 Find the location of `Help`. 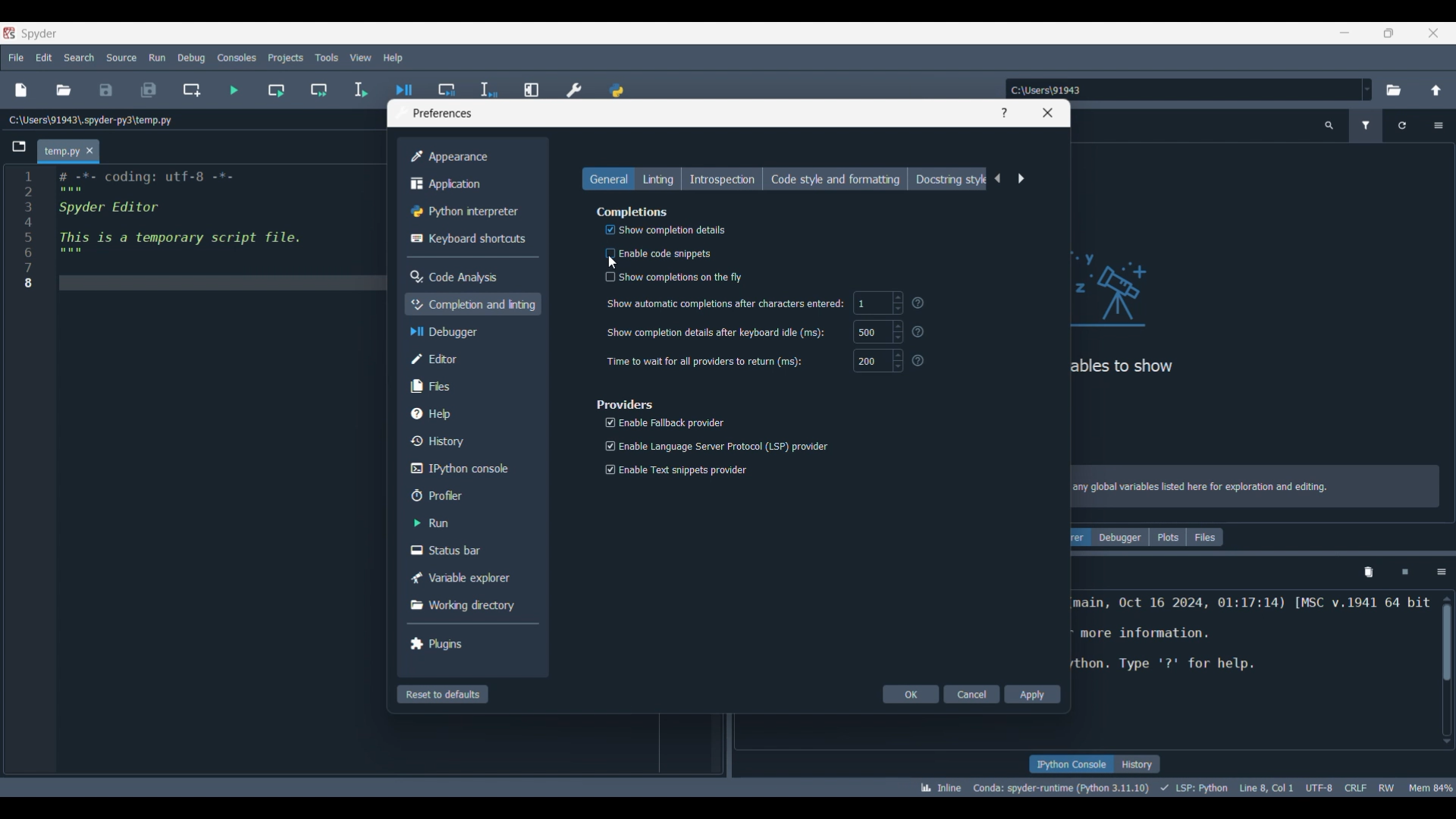

Help is located at coordinates (1003, 113).